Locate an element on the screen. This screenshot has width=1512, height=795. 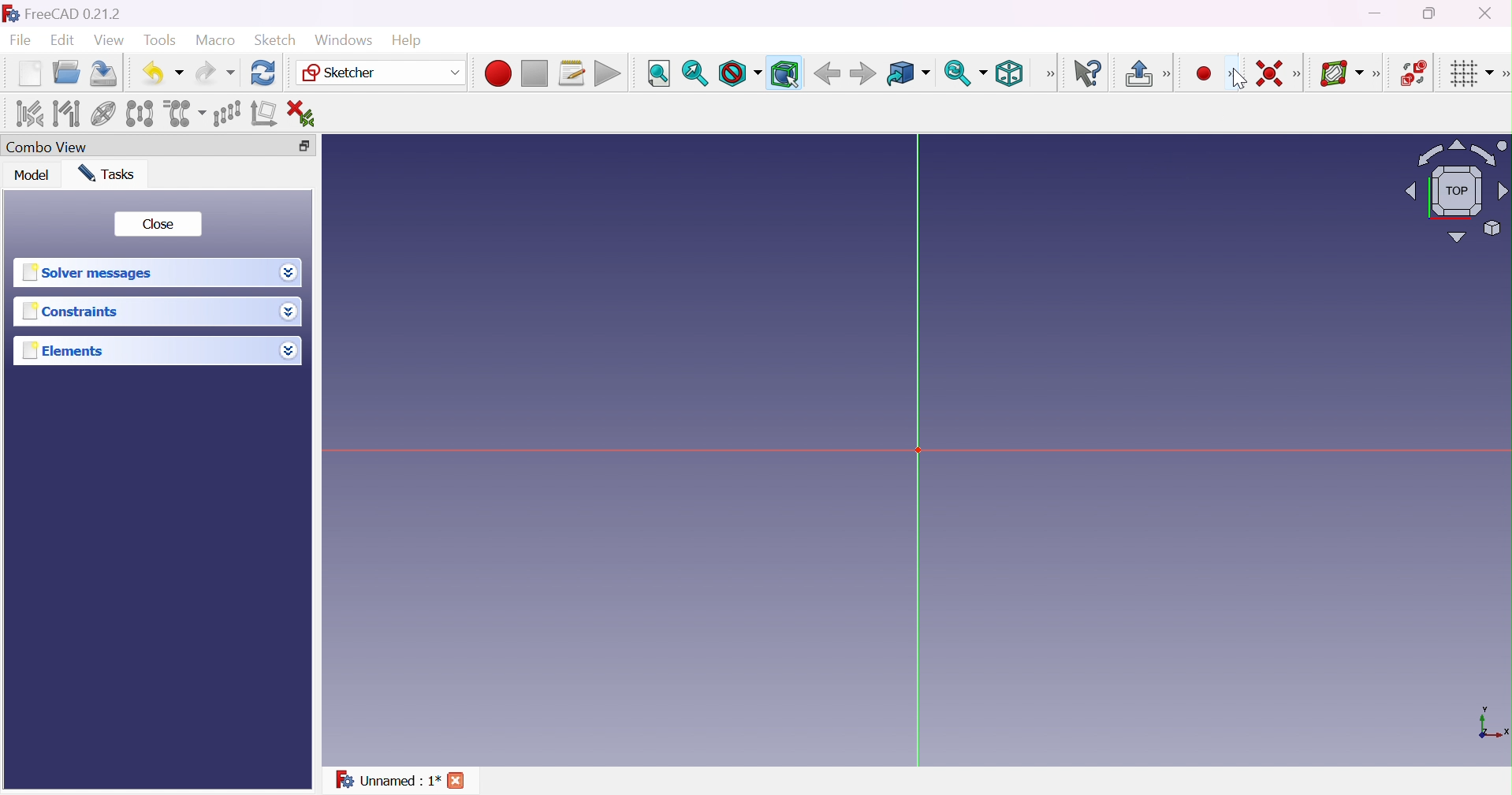
Sketcher edit mode is located at coordinates (1168, 75).